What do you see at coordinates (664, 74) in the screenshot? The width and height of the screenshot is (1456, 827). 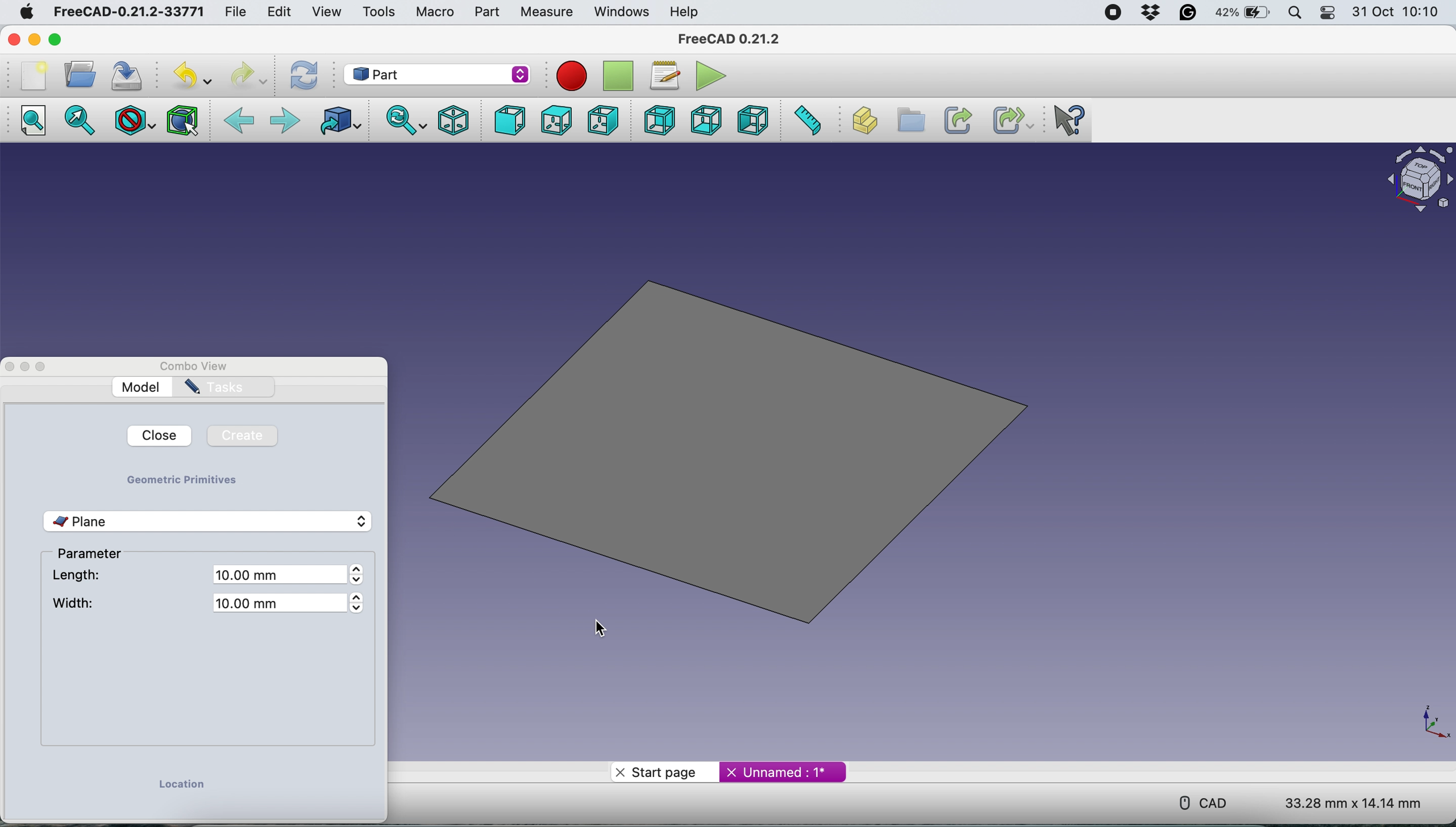 I see `Macros` at bounding box center [664, 74].